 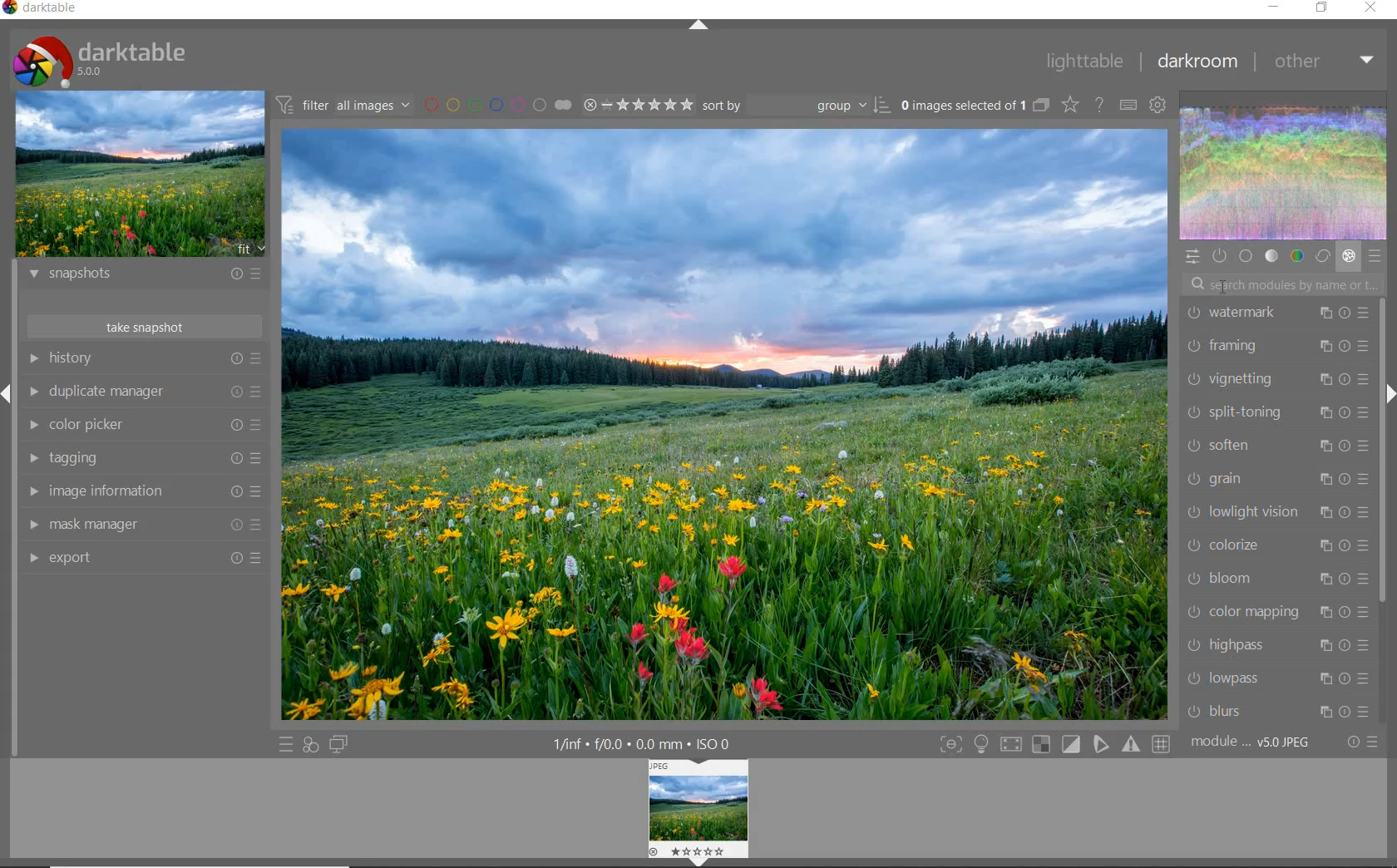 I want to click on scrollbar, so click(x=1383, y=452).